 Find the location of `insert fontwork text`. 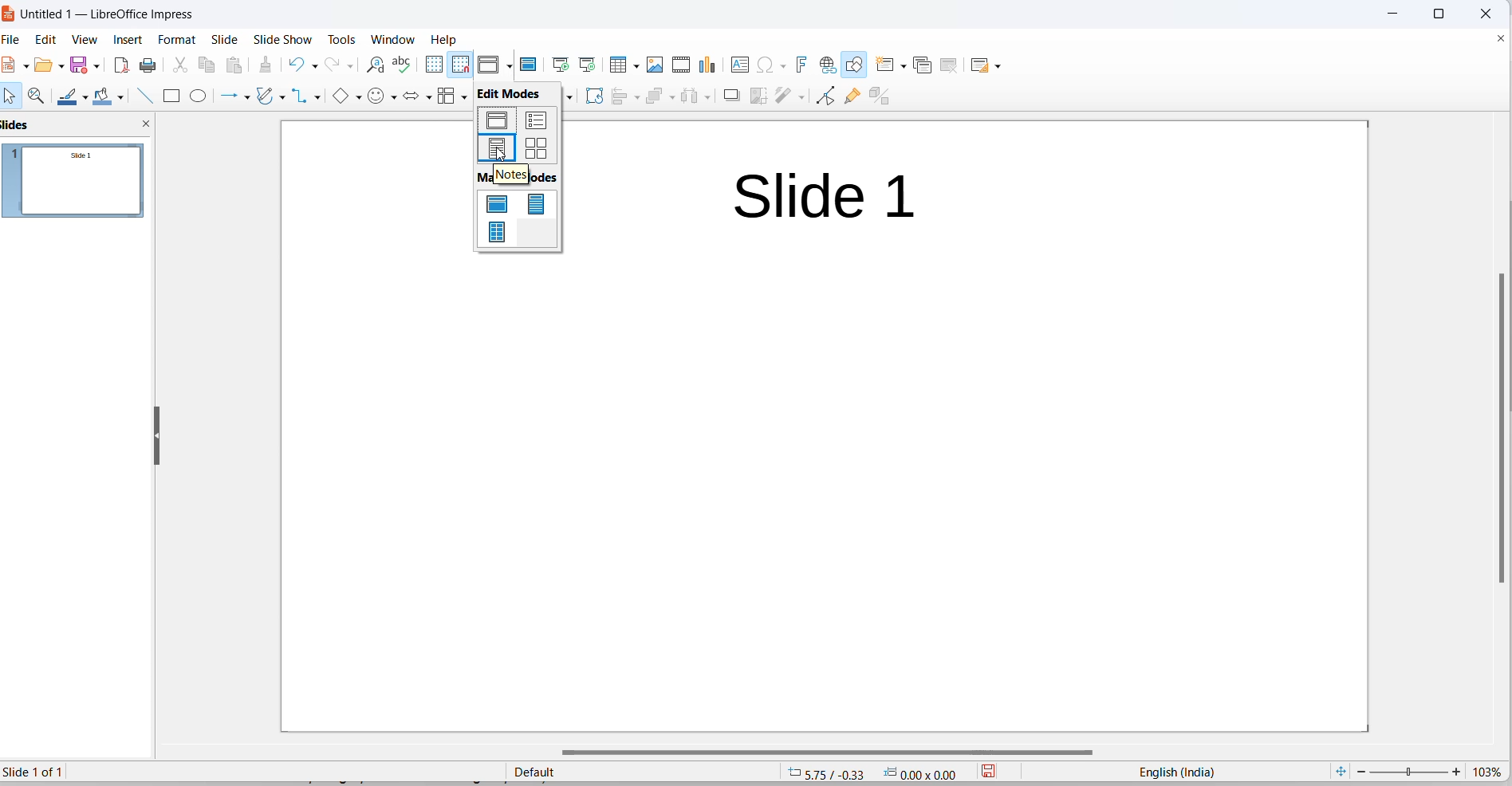

insert fontwork text is located at coordinates (803, 65).